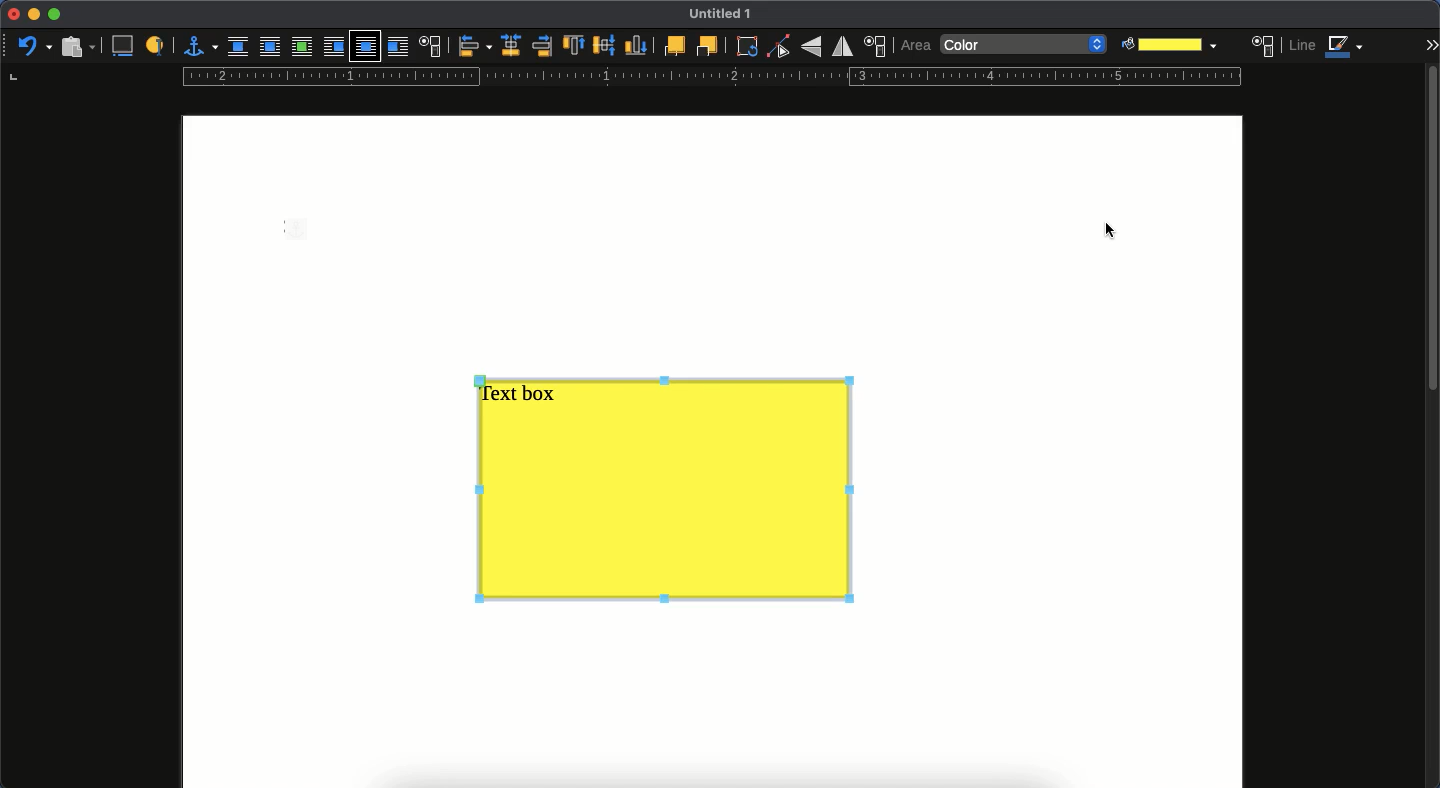  Describe the element at coordinates (76, 46) in the screenshot. I see `paste` at that location.